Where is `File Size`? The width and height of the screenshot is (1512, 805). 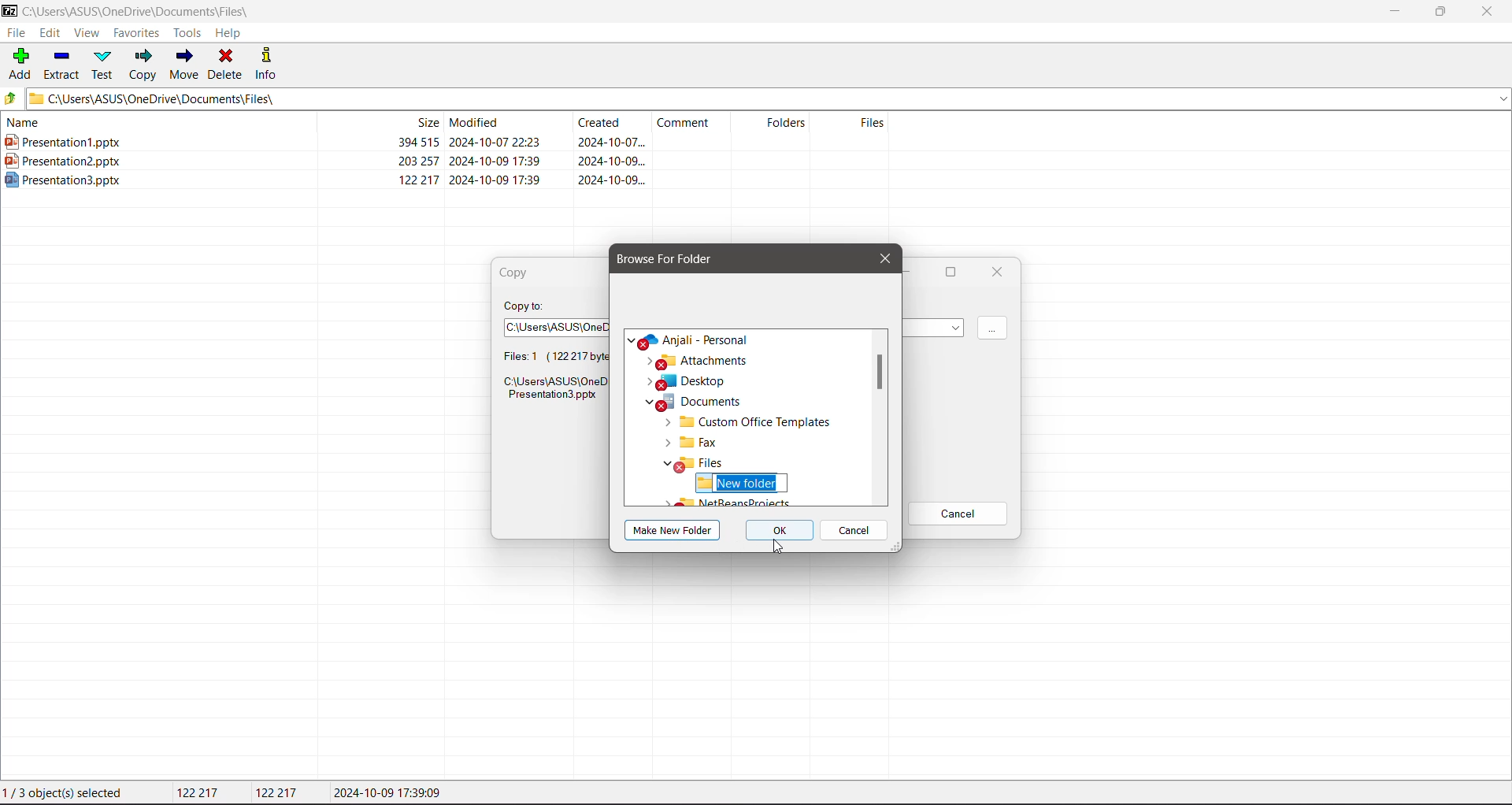 File Size is located at coordinates (378, 122).